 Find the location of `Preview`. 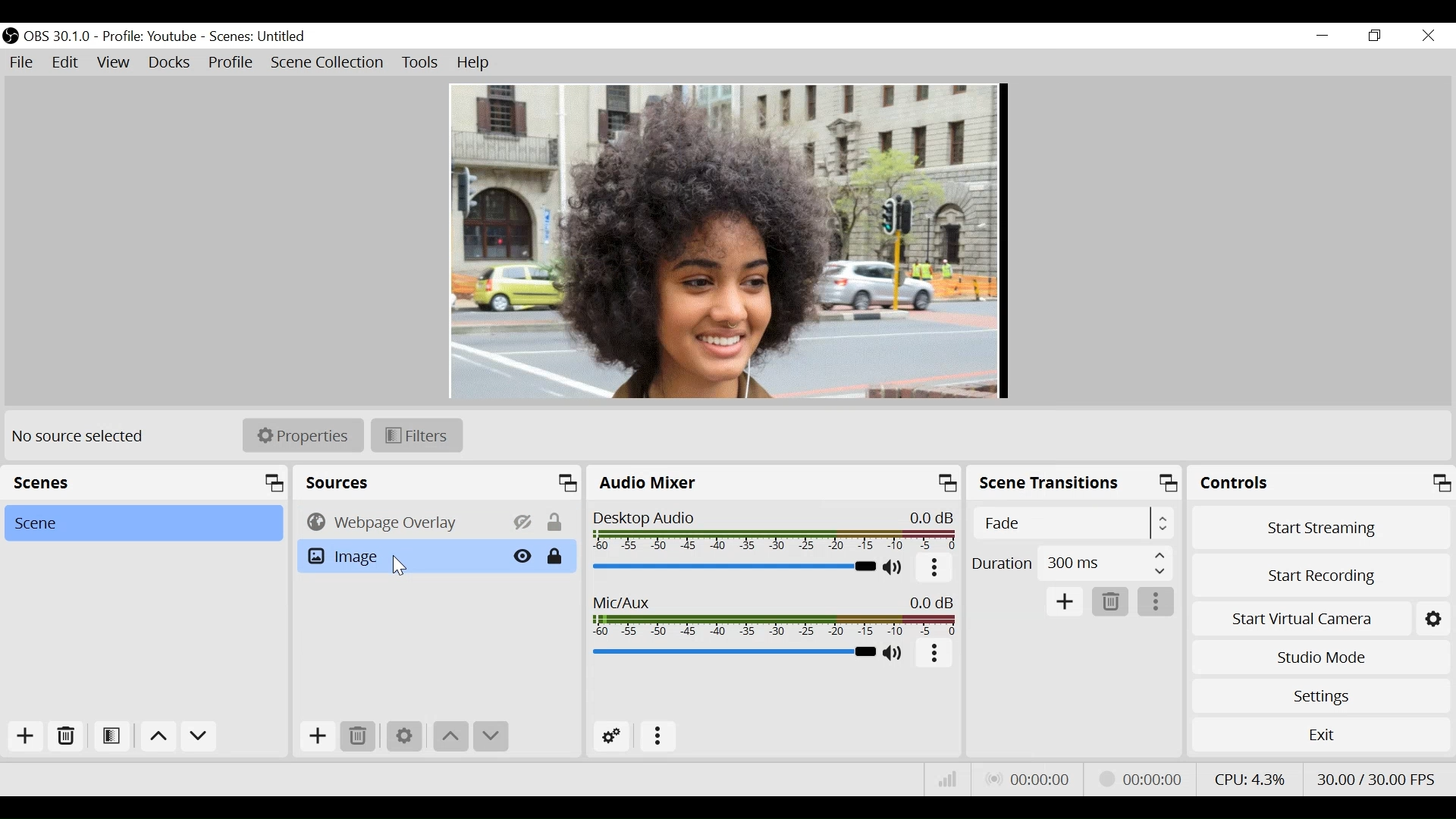

Preview is located at coordinates (730, 240).